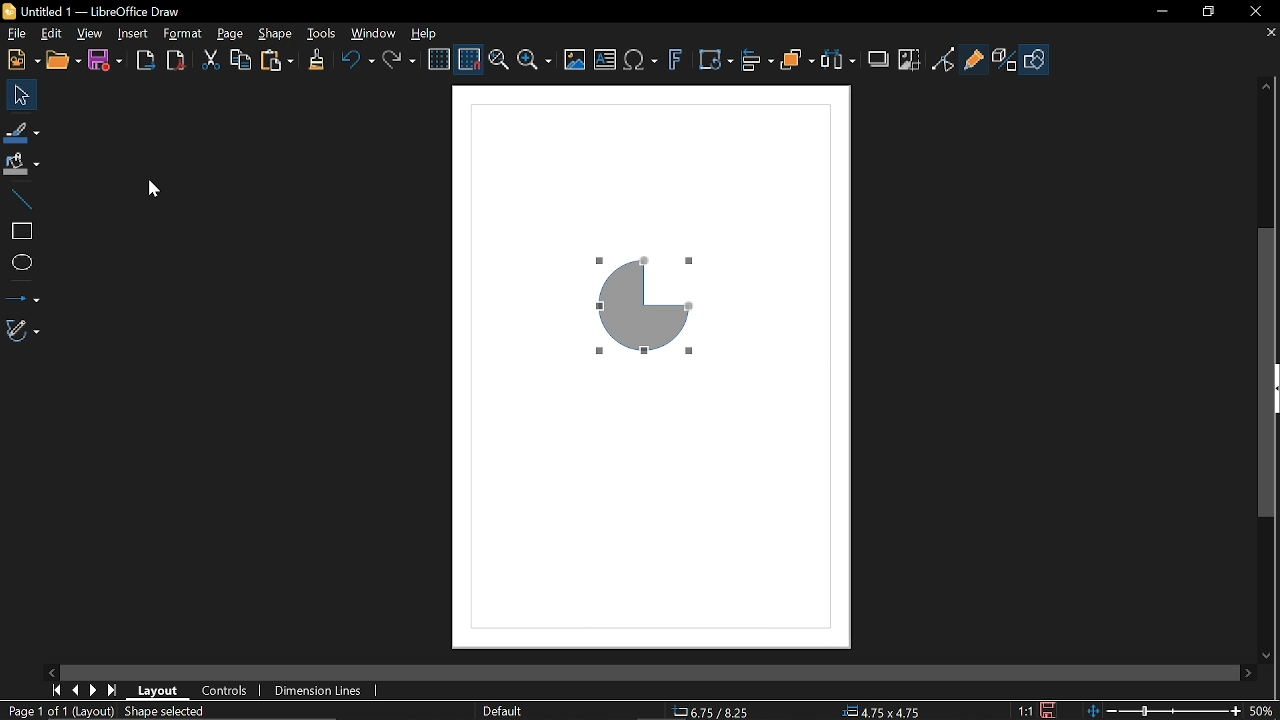 Image resolution: width=1280 pixels, height=720 pixels. Describe the element at coordinates (715, 62) in the screenshot. I see `Transformation` at that location.